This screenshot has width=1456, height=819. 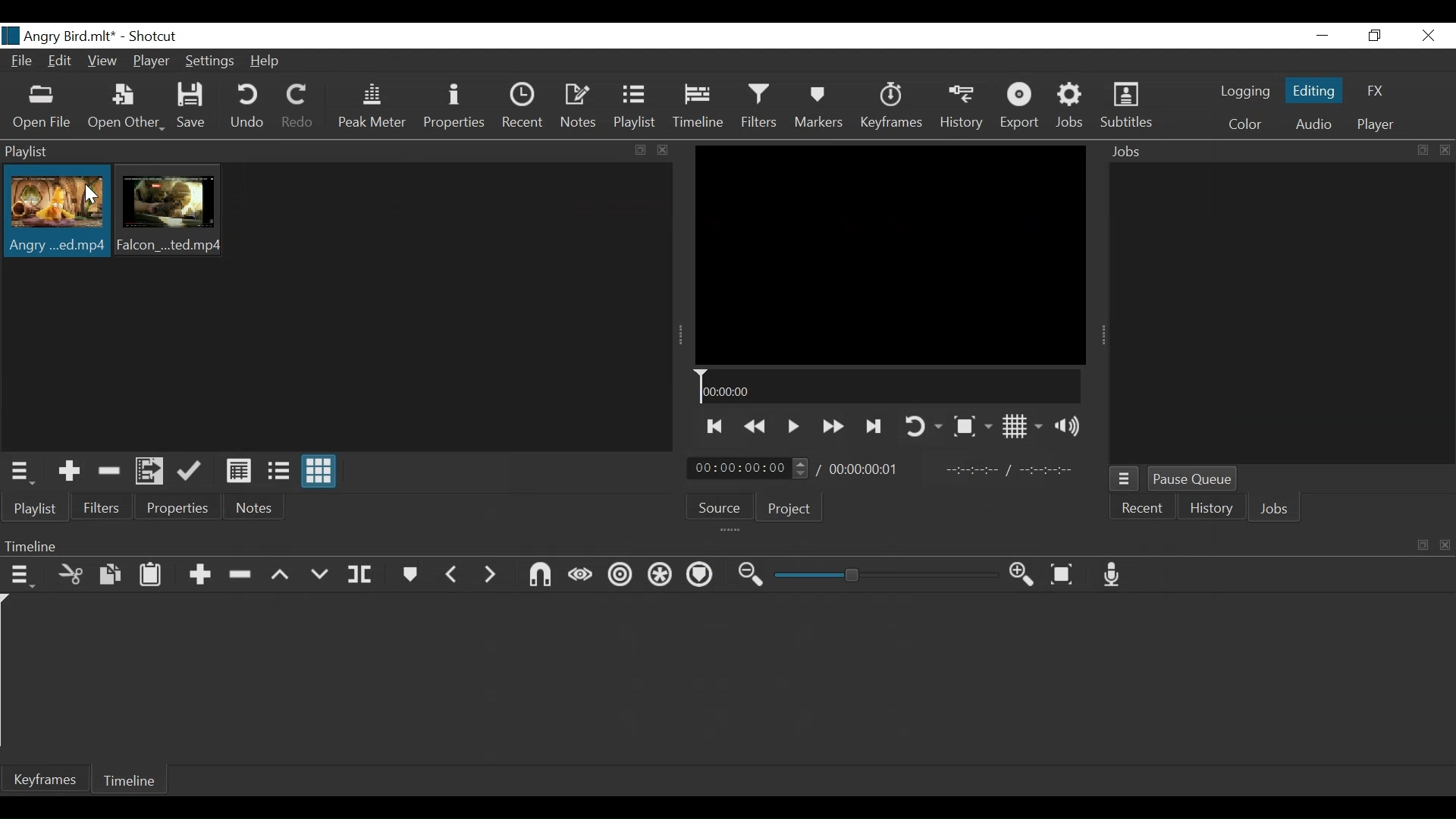 I want to click on Close, so click(x=1428, y=35).